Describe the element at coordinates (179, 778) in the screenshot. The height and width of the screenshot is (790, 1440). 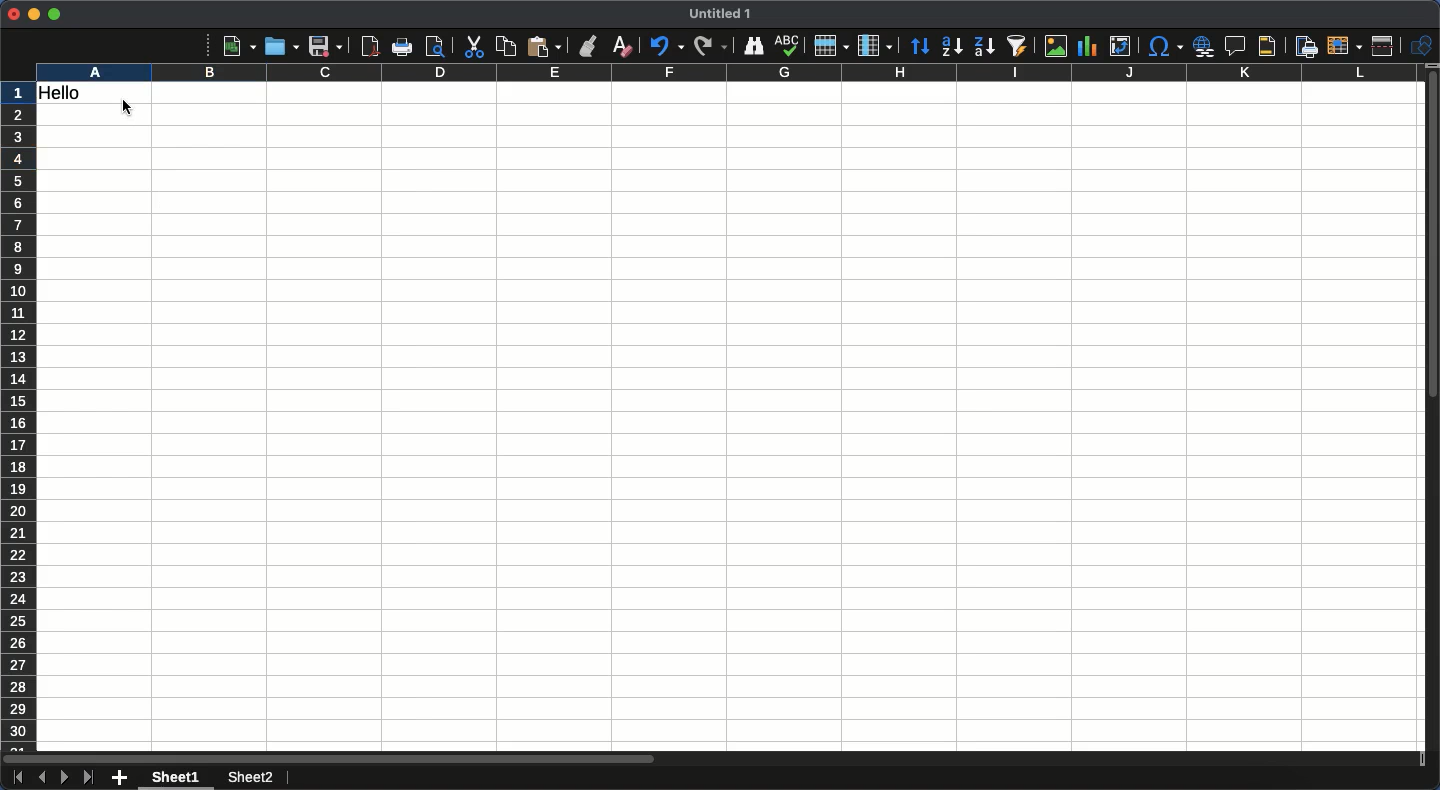
I see `Sheet 1` at that location.